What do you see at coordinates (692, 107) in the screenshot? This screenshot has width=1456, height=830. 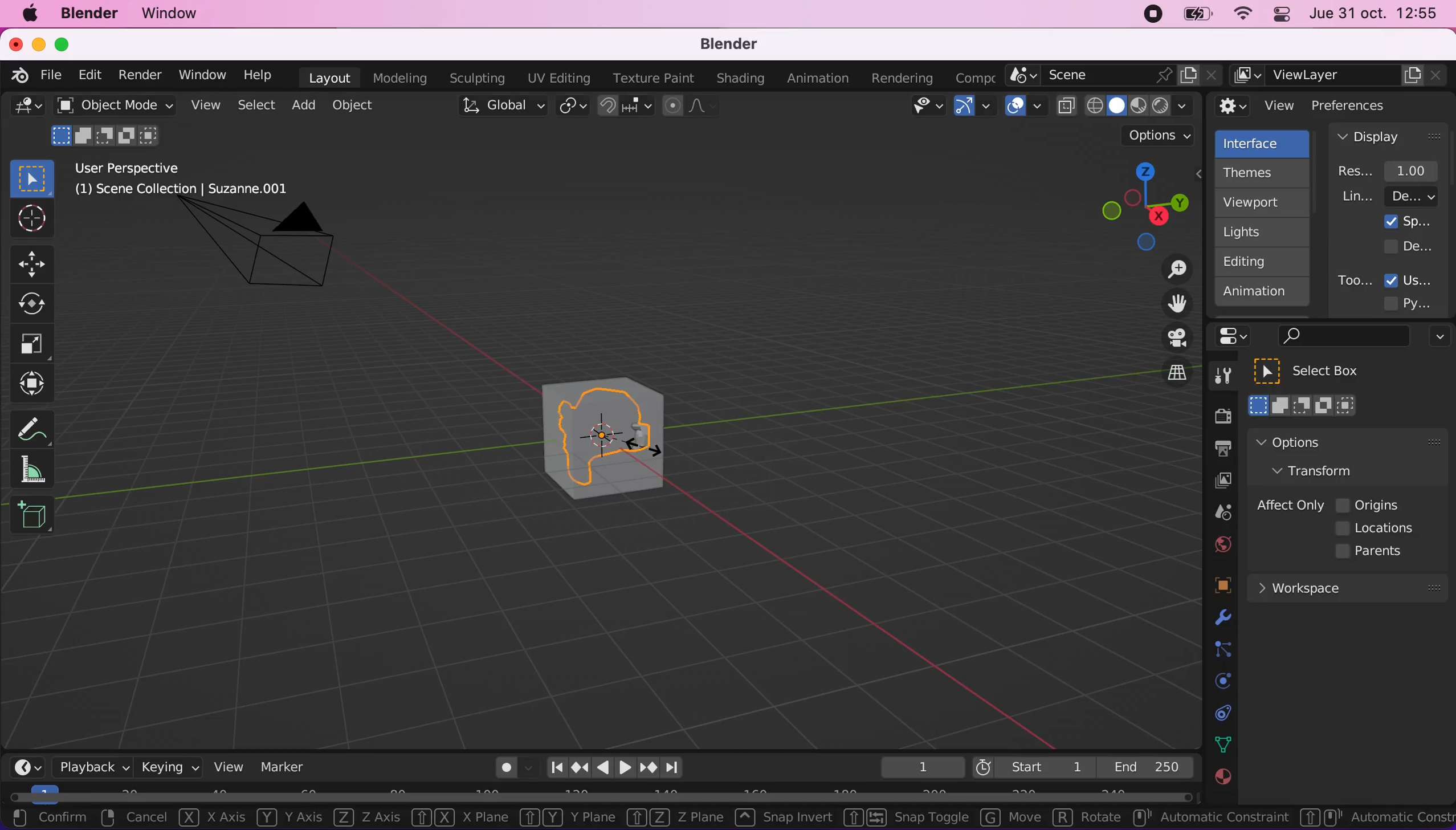 I see `proportional editing objects` at bounding box center [692, 107].